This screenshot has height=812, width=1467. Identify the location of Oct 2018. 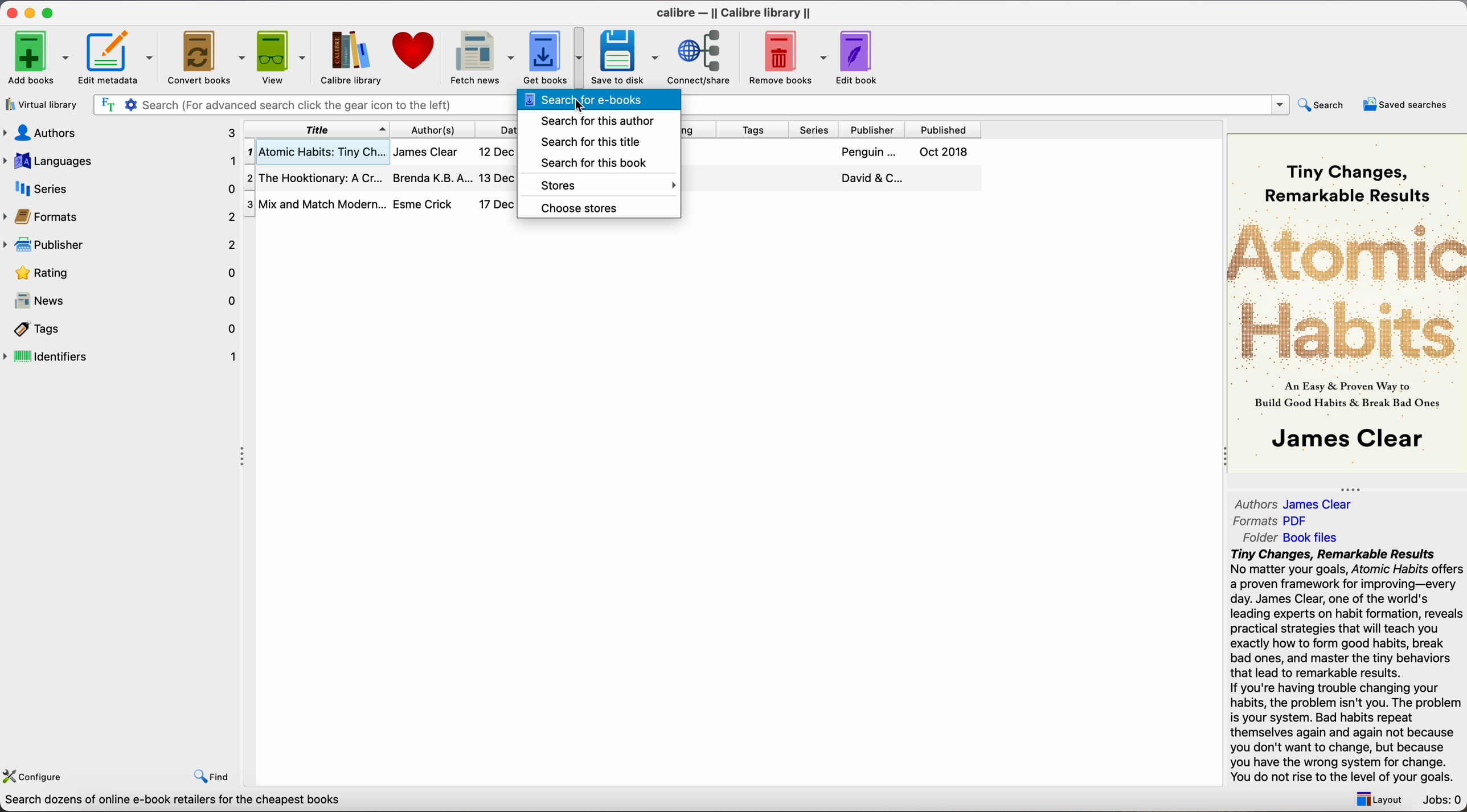
(941, 151).